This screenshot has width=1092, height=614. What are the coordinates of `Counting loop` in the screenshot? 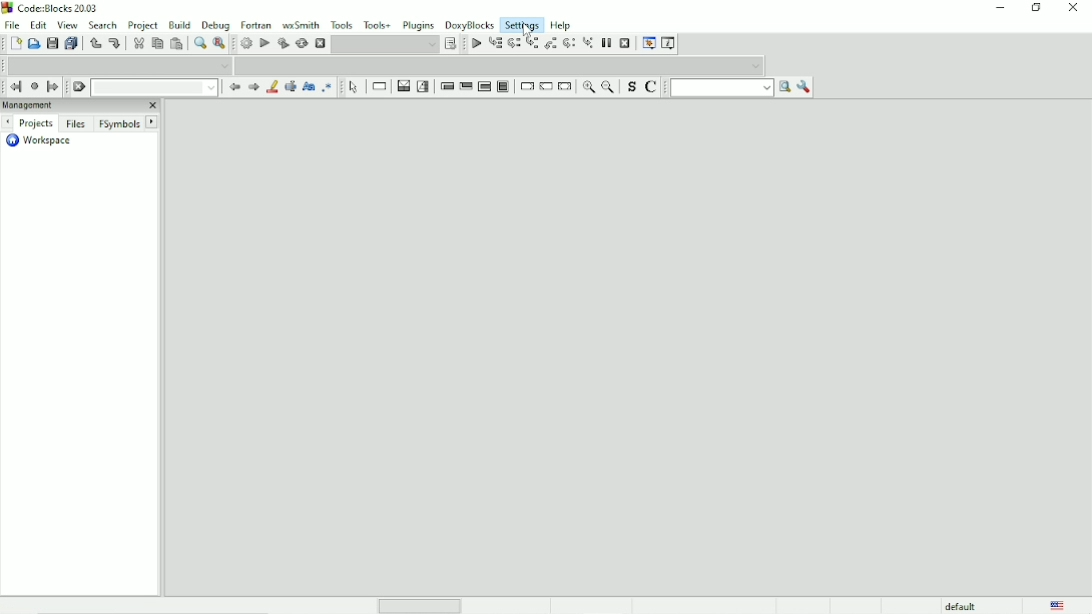 It's located at (484, 86).